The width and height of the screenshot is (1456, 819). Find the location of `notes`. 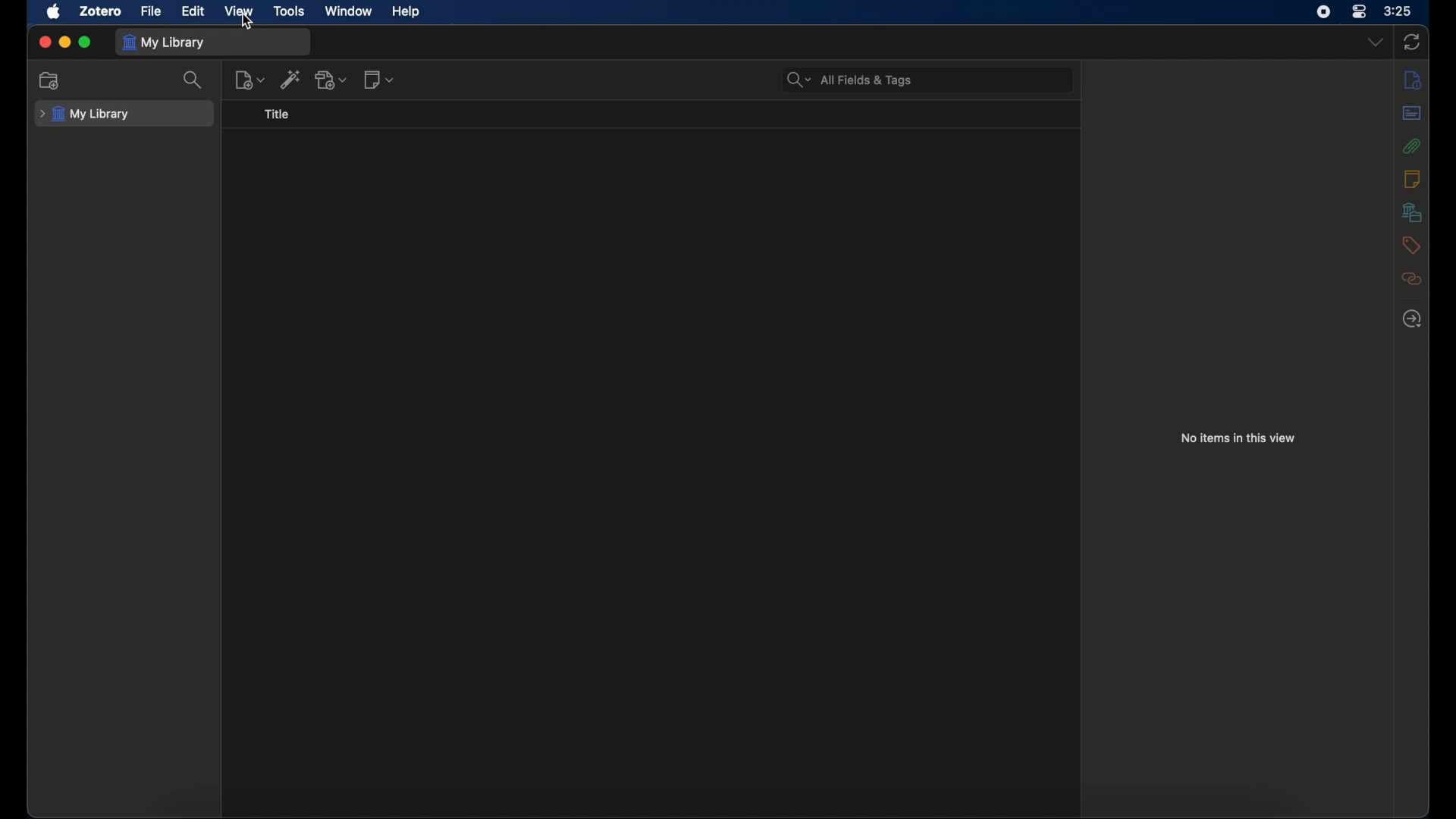

notes is located at coordinates (1411, 177).